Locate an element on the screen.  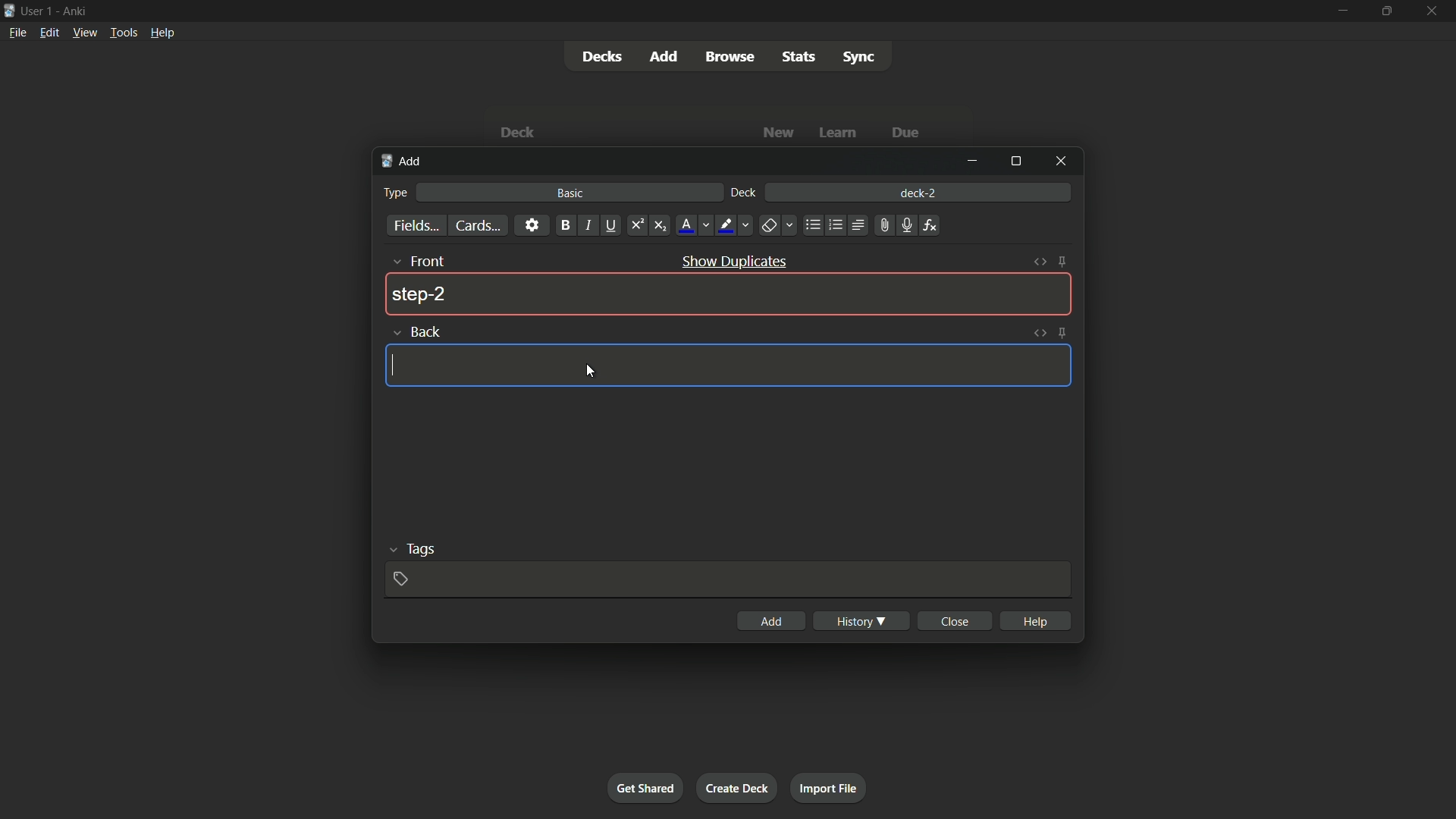
new is located at coordinates (779, 133).